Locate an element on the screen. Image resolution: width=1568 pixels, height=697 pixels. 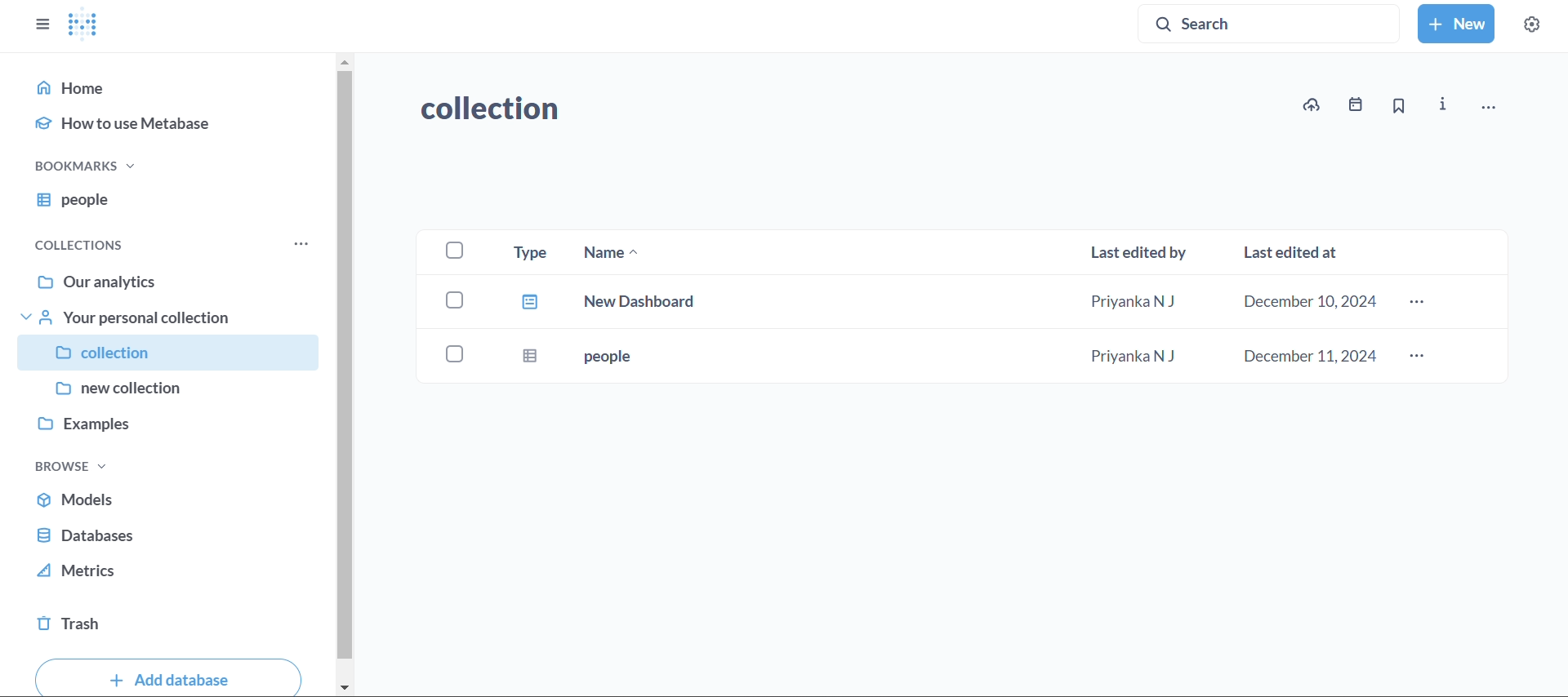
database is located at coordinates (166, 534).